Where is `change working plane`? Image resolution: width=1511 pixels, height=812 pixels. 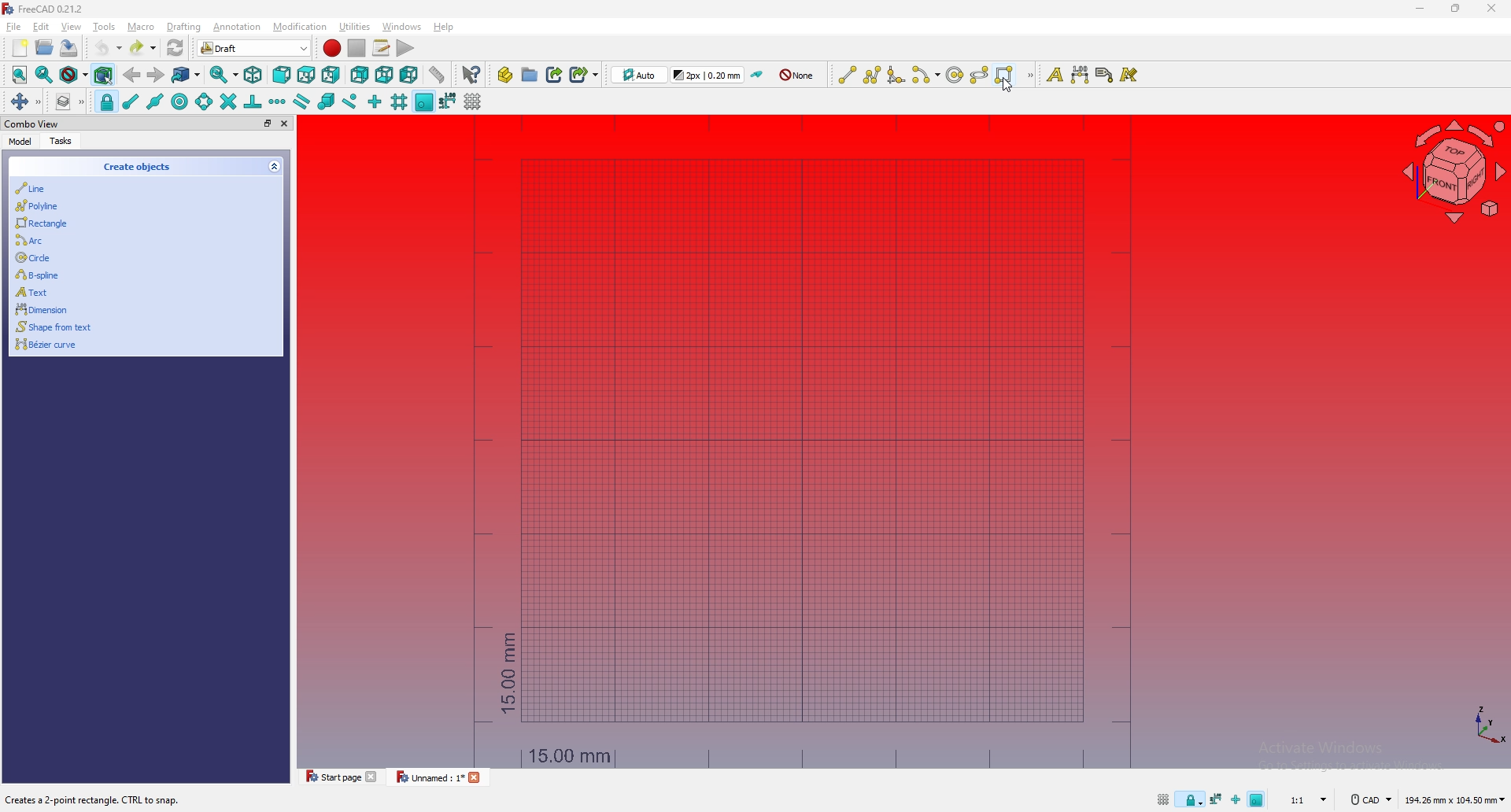
change working plane is located at coordinates (639, 74).